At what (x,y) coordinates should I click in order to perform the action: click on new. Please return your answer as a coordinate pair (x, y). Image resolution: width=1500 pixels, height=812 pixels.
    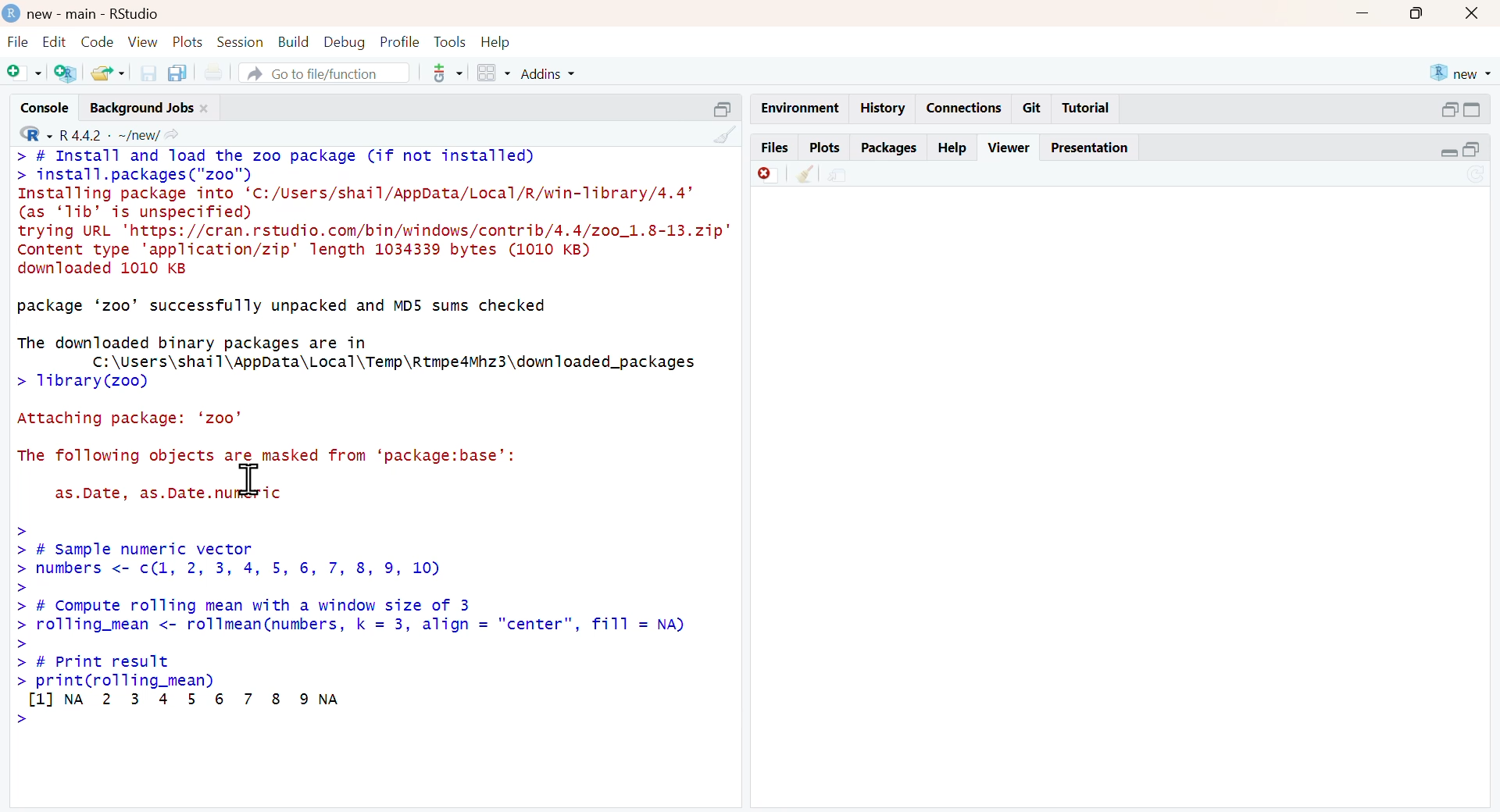
    Looking at the image, I should click on (1460, 74).